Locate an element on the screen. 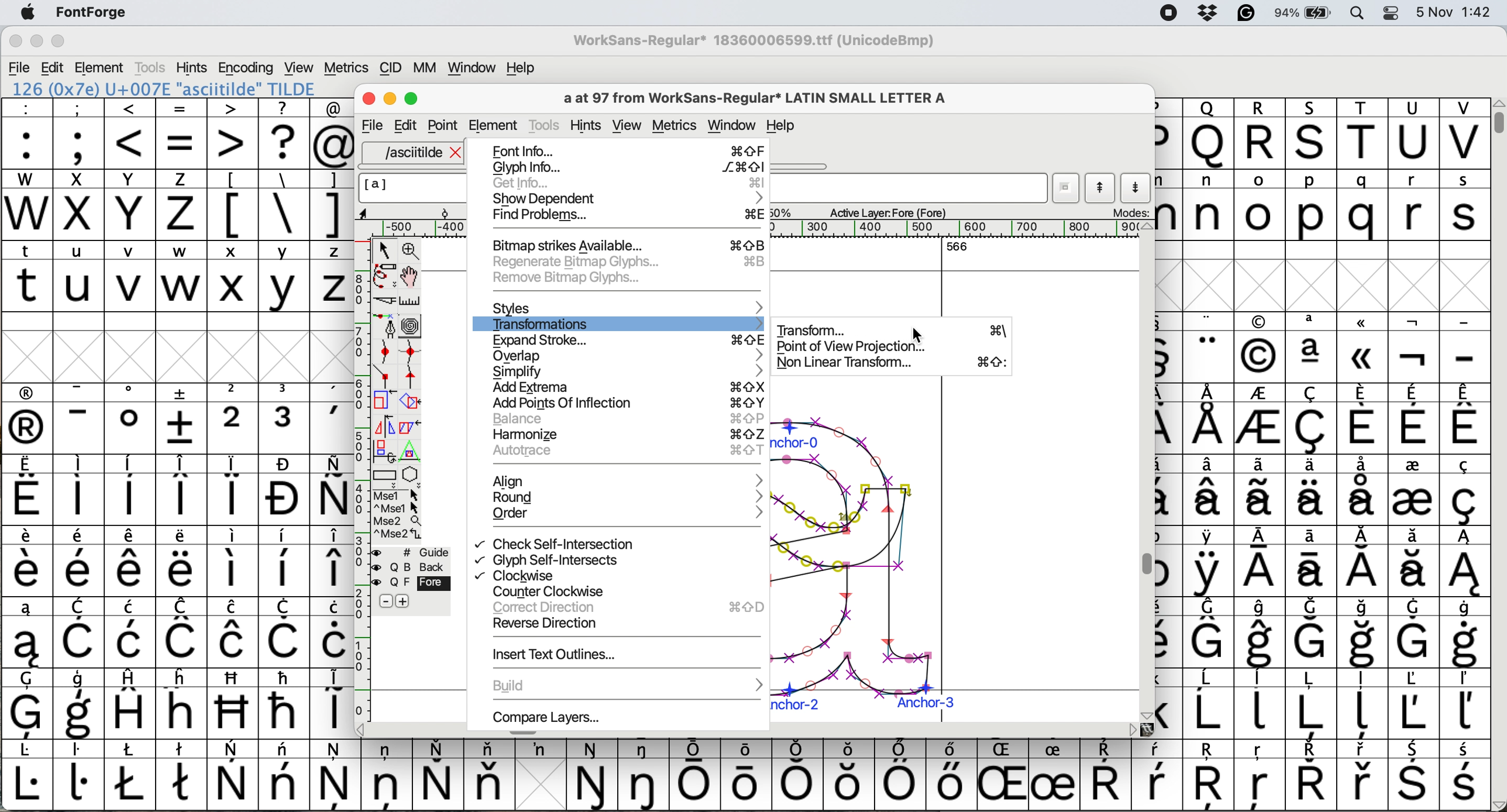 Image resolution: width=1507 pixels, height=812 pixels. symbol is located at coordinates (234, 776).